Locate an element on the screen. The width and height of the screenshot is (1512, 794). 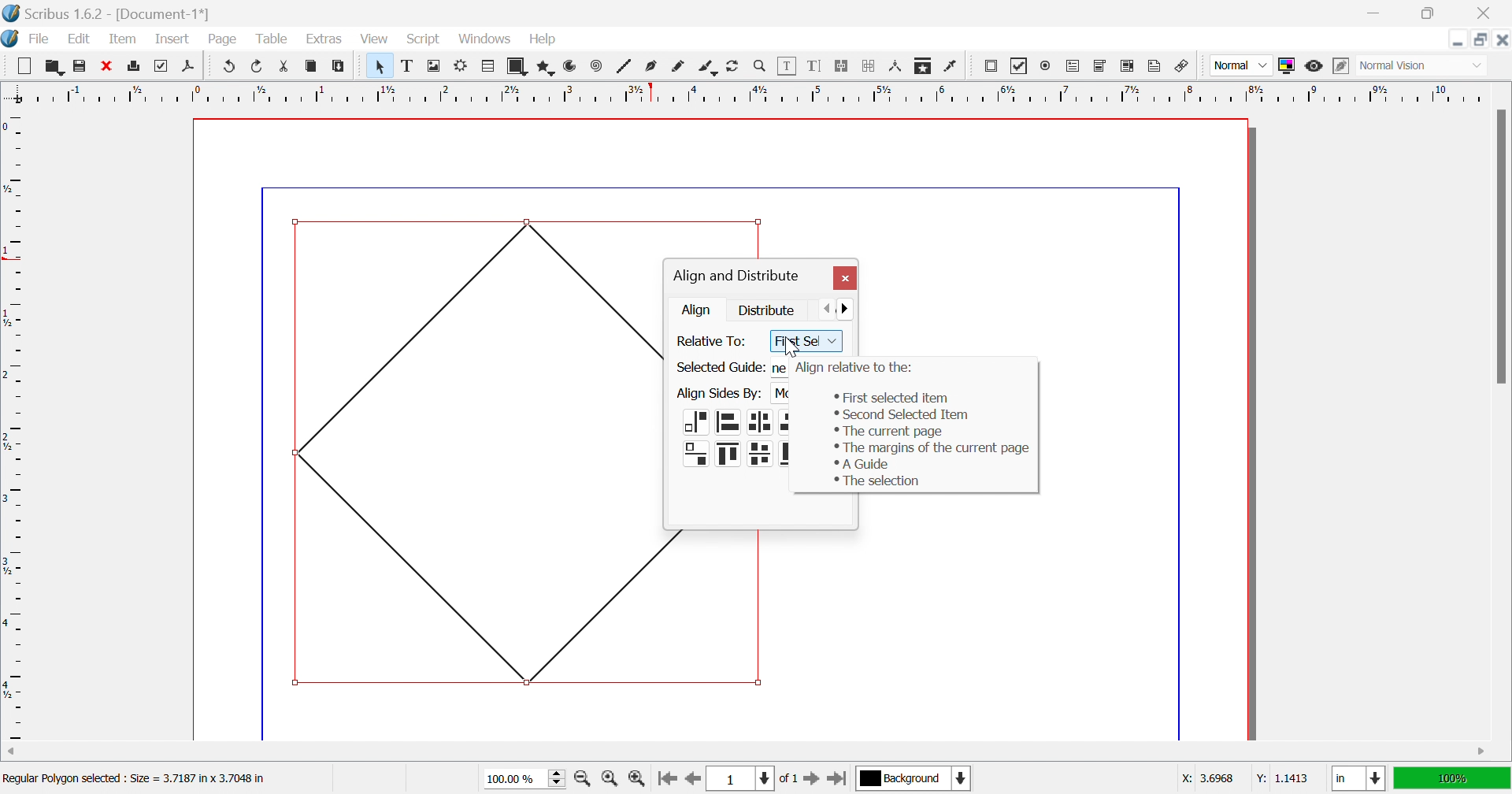
y: 1.1413 is located at coordinates (1280, 778).